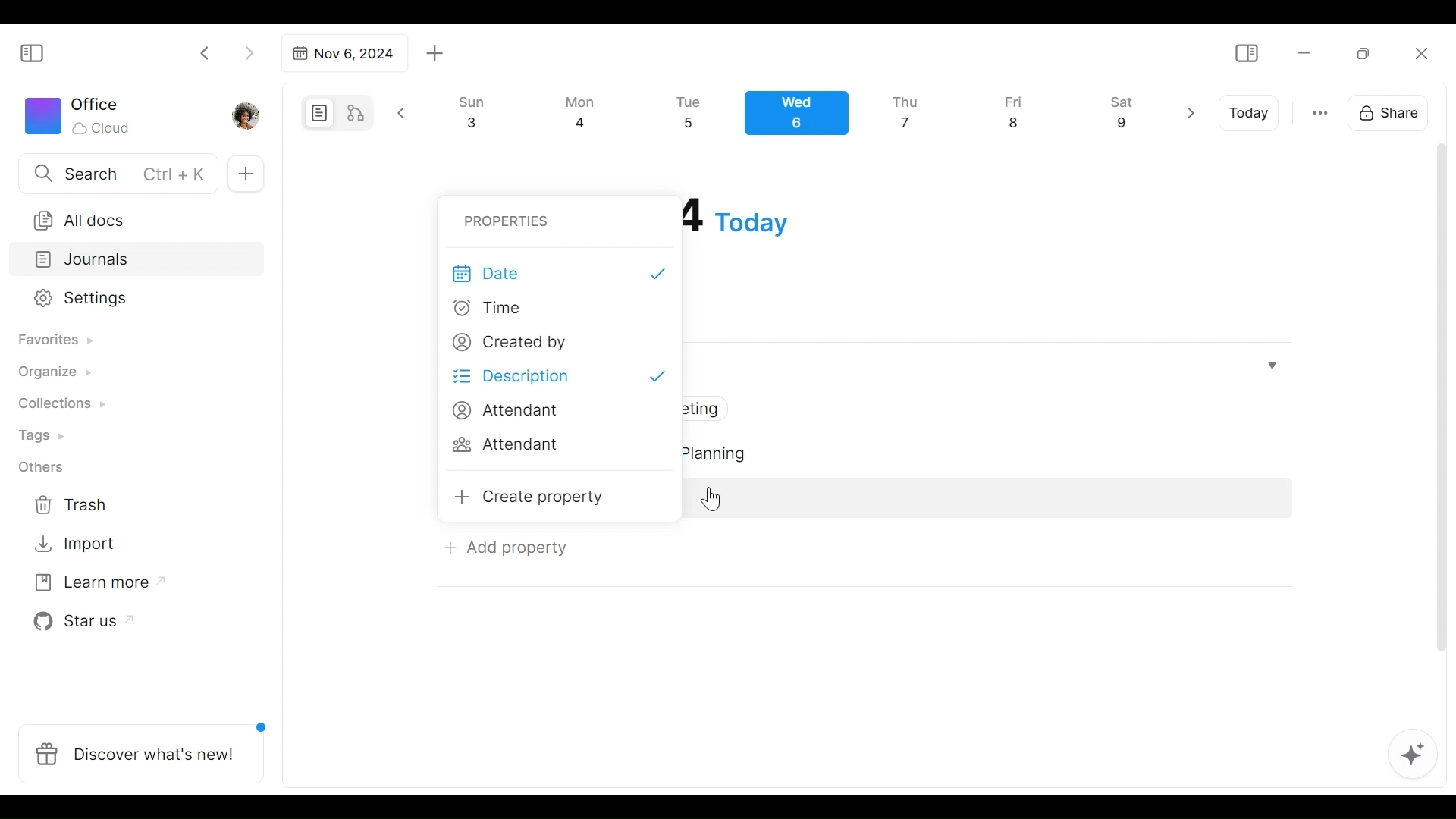 This screenshot has width=1456, height=819. Describe the element at coordinates (342, 53) in the screenshot. I see `Tab` at that location.